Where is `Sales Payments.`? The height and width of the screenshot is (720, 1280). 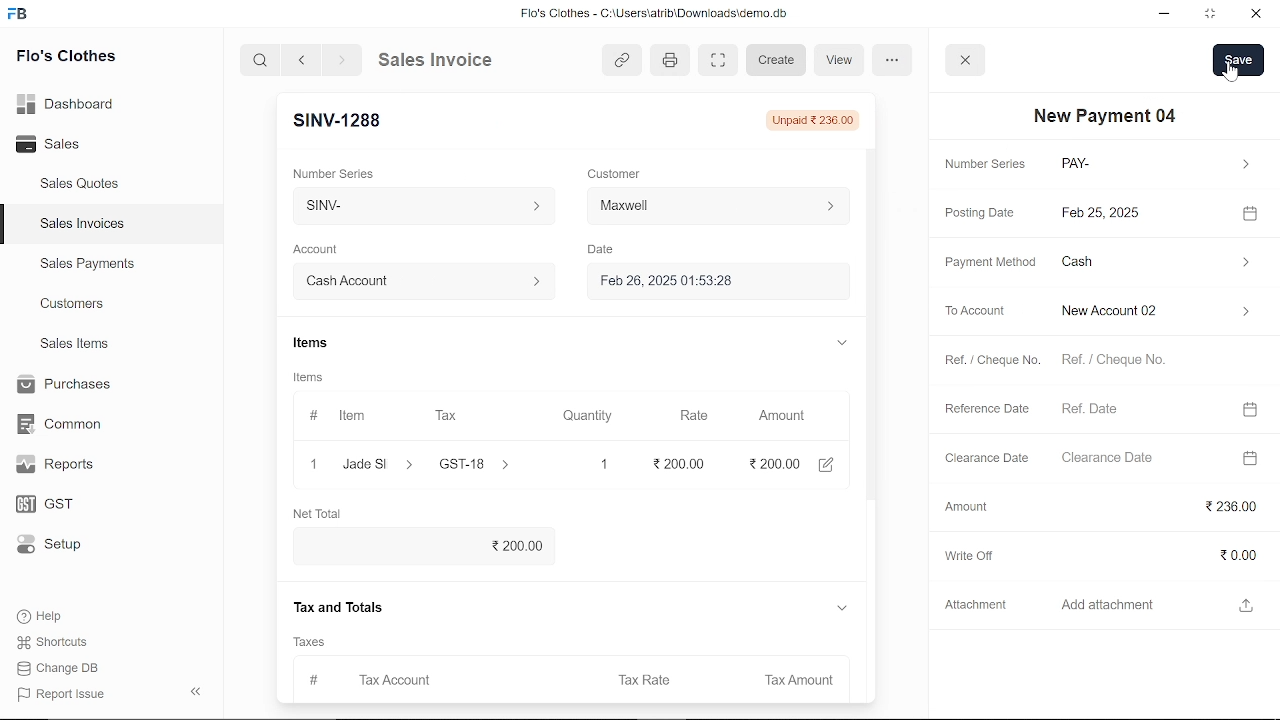
Sales Payments. is located at coordinates (86, 264).